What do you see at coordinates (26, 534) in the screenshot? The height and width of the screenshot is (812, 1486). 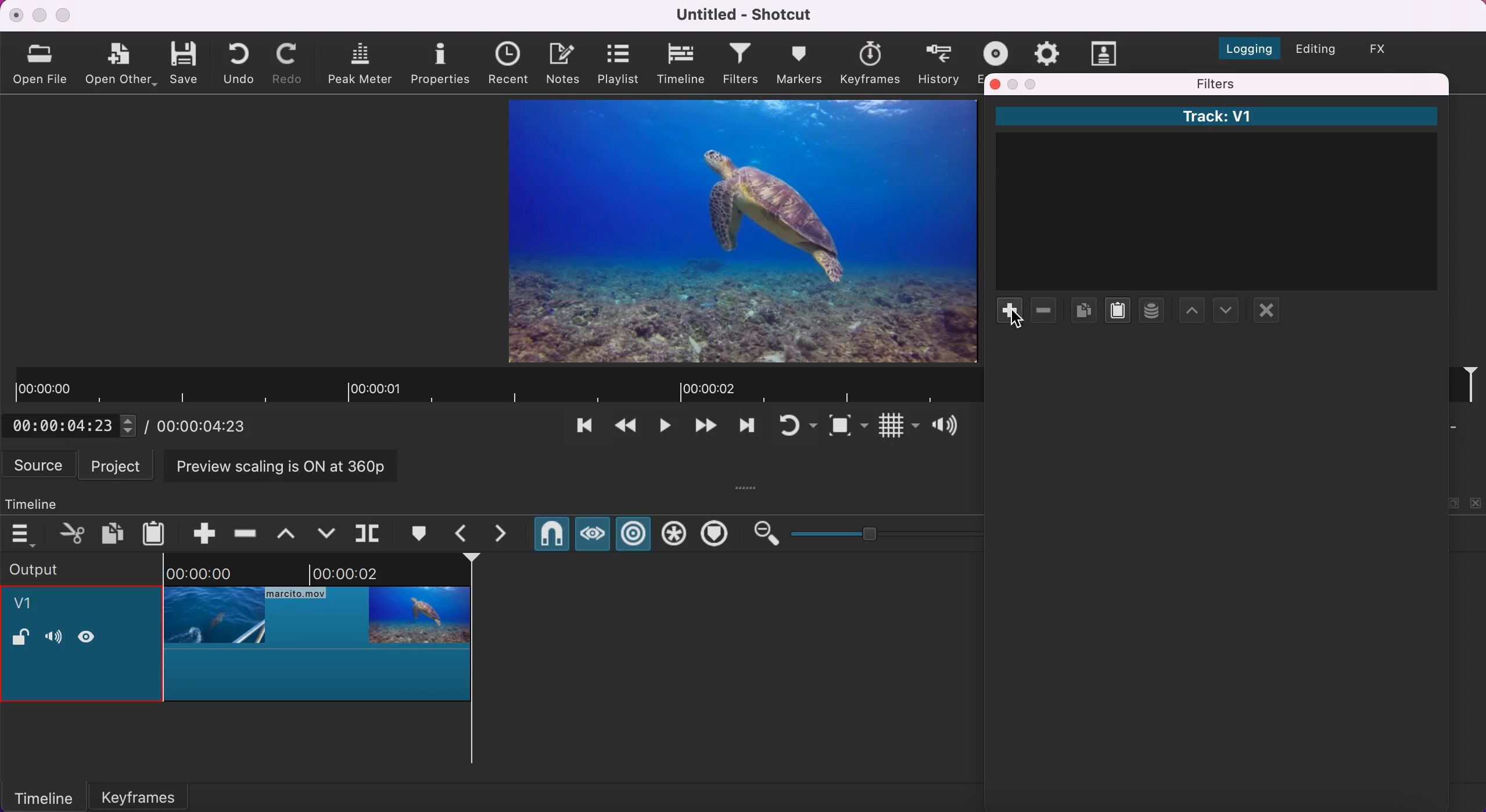 I see `timeline menu` at bounding box center [26, 534].